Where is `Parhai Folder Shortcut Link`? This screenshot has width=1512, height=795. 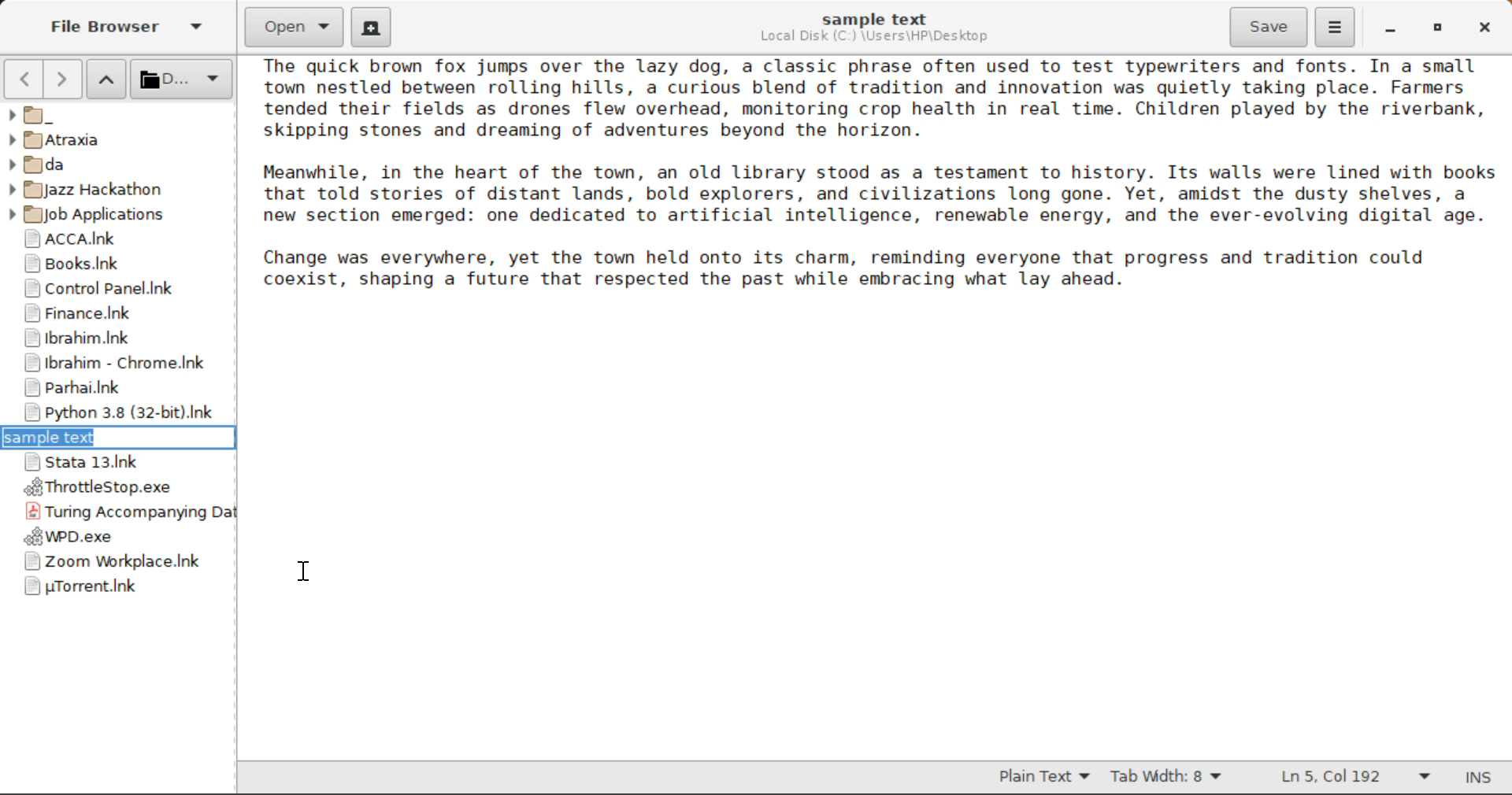 Parhai Folder Shortcut Link is located at coordinates (113, 389).